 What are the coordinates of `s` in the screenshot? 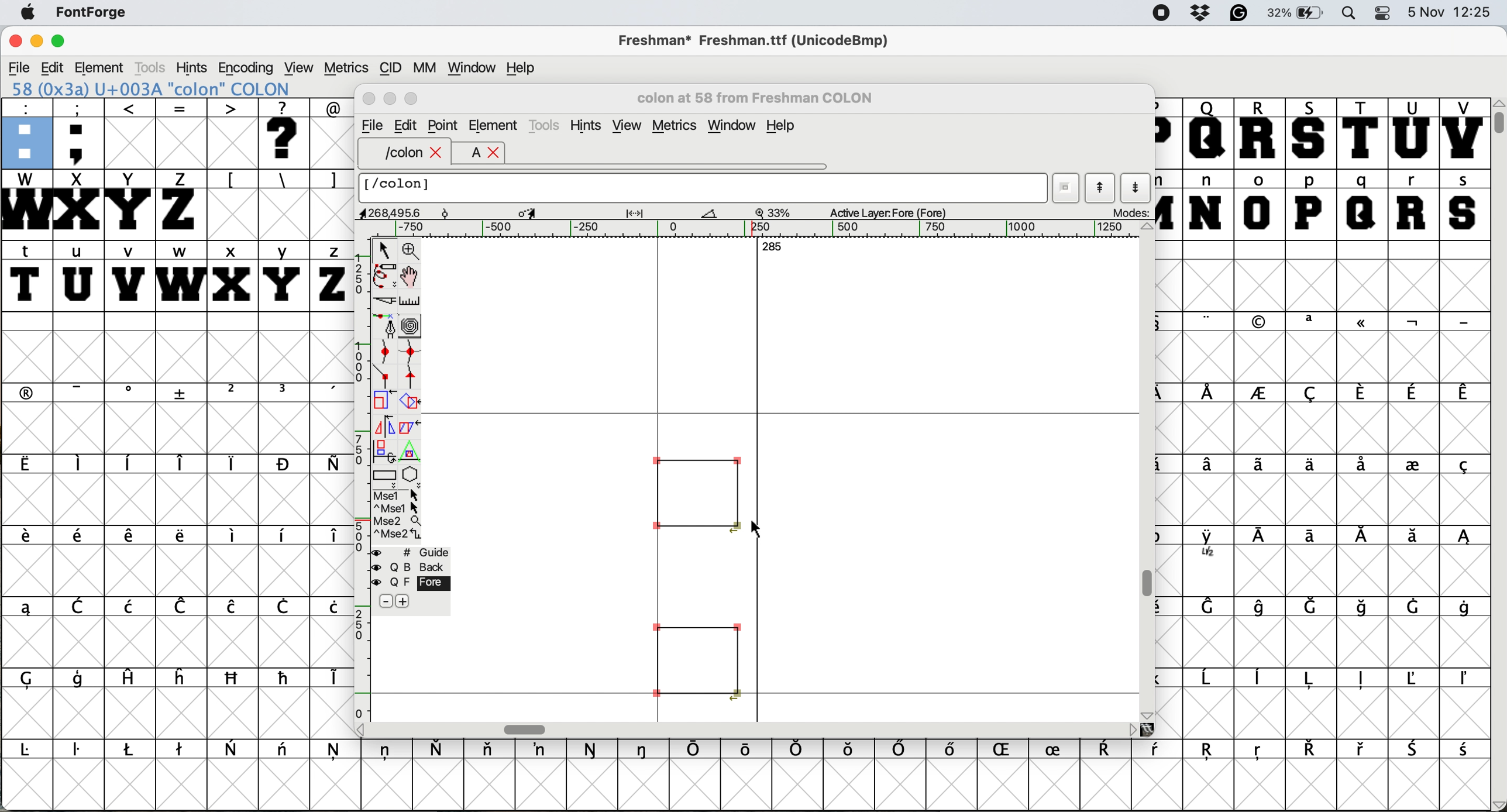 It's located at (1464, 204).